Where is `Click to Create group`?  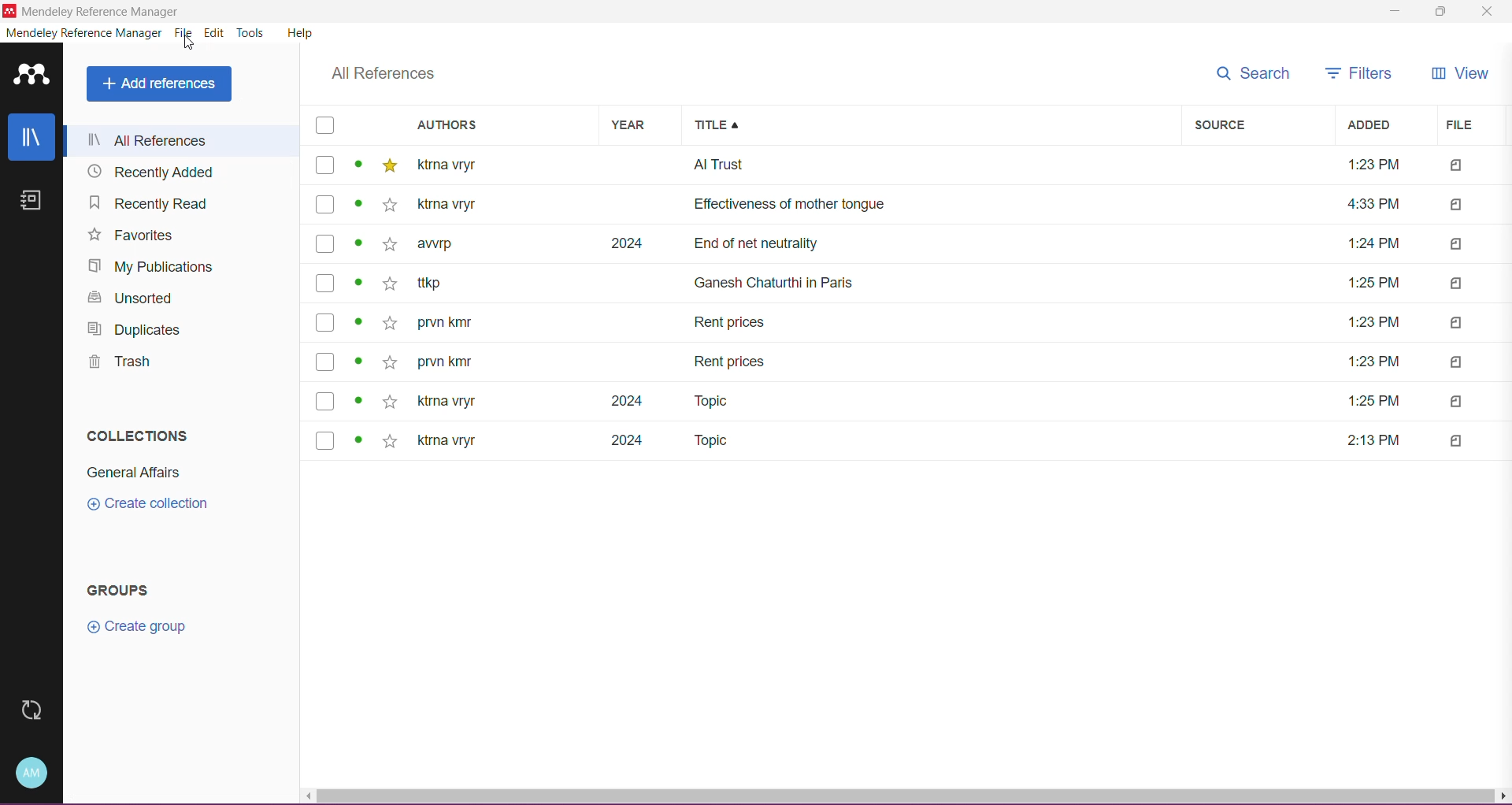 Click to Create group is located at coordinates (135, 629).